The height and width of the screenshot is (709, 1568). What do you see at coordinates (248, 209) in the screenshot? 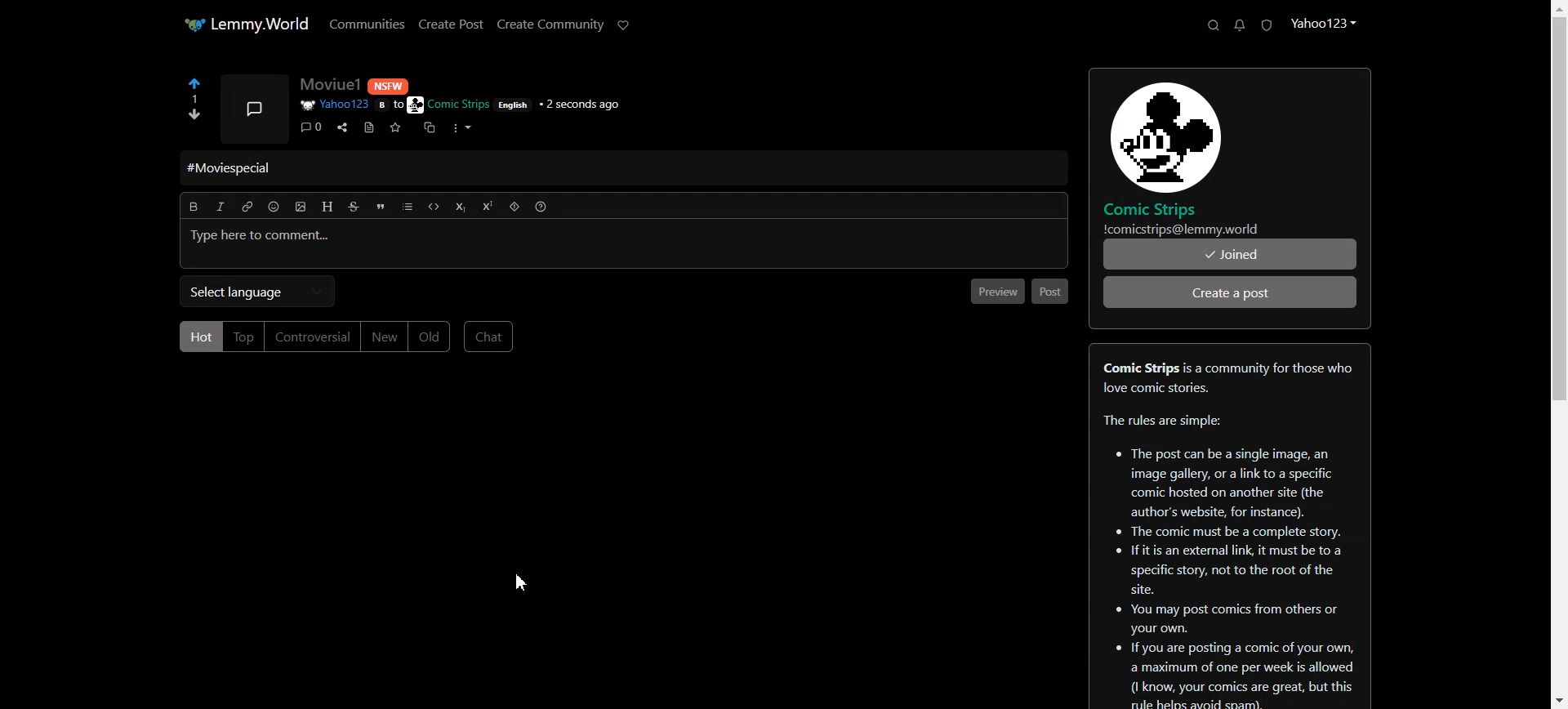
I see `Hyperlink` at bounding box center [248, 209].